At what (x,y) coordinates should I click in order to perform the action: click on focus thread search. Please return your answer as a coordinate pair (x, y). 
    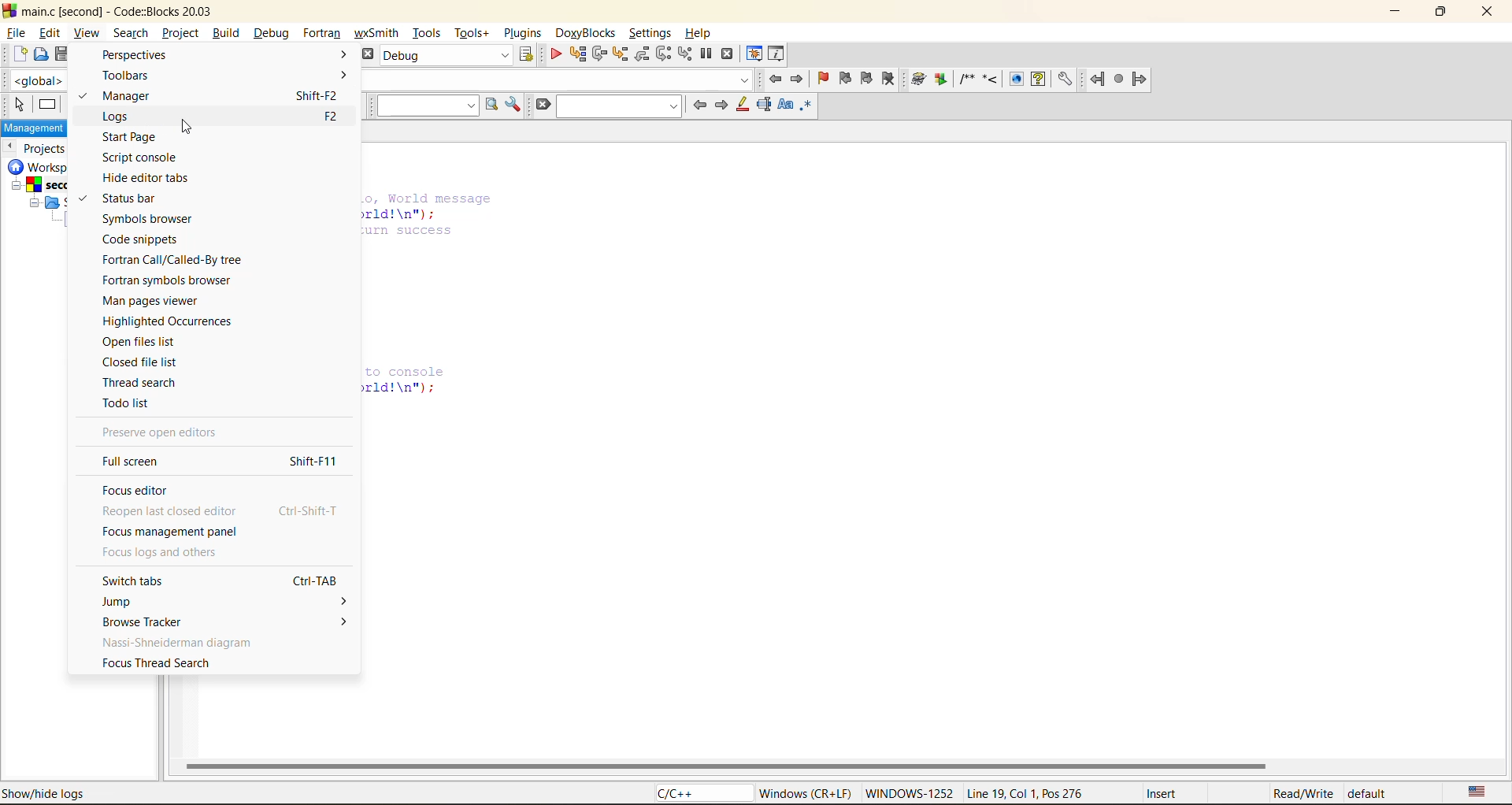
    Looking at the image, I should click on (157, 663).